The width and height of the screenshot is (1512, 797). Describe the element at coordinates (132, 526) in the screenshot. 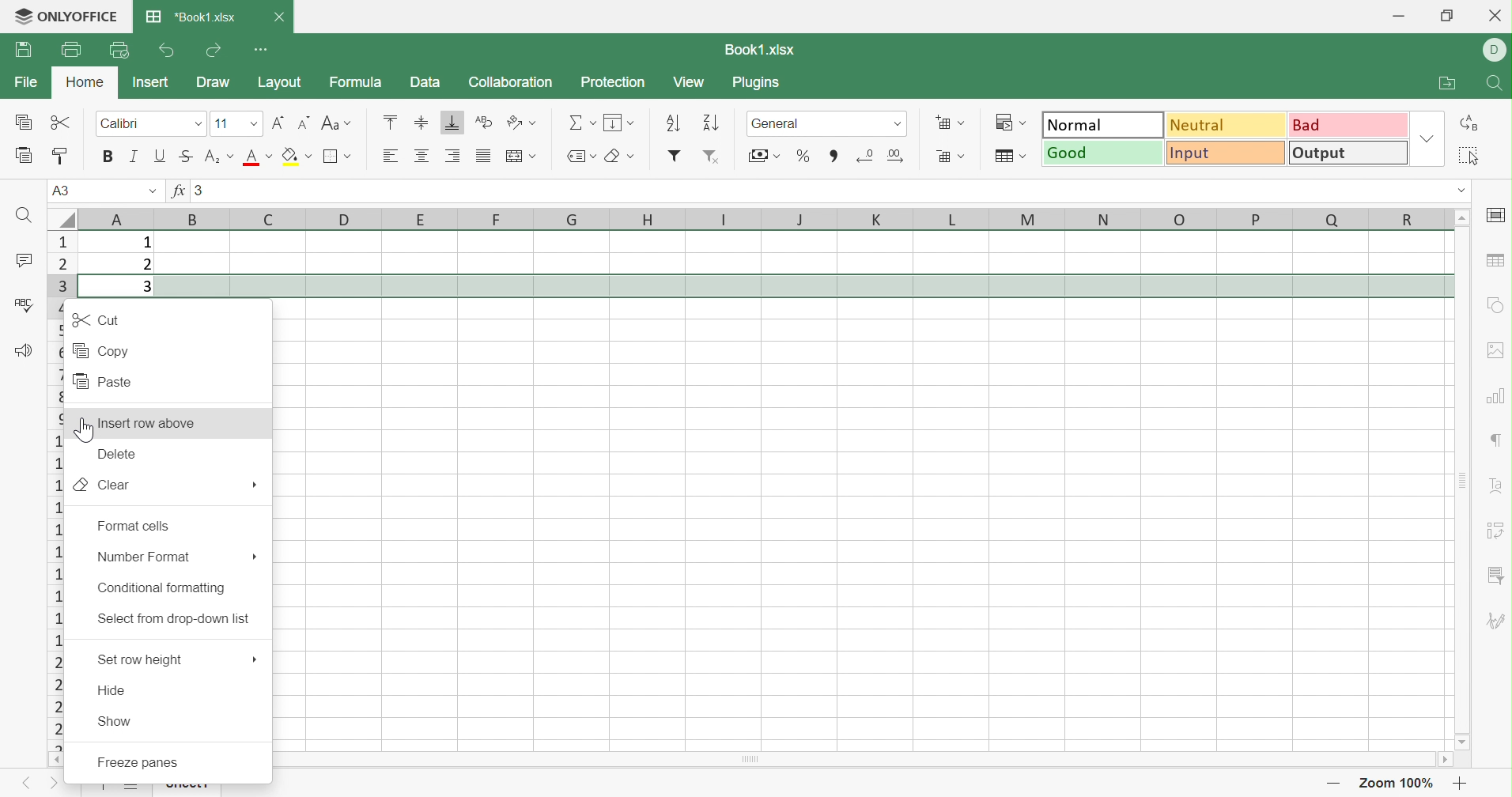

I see `Format cells` at that location.